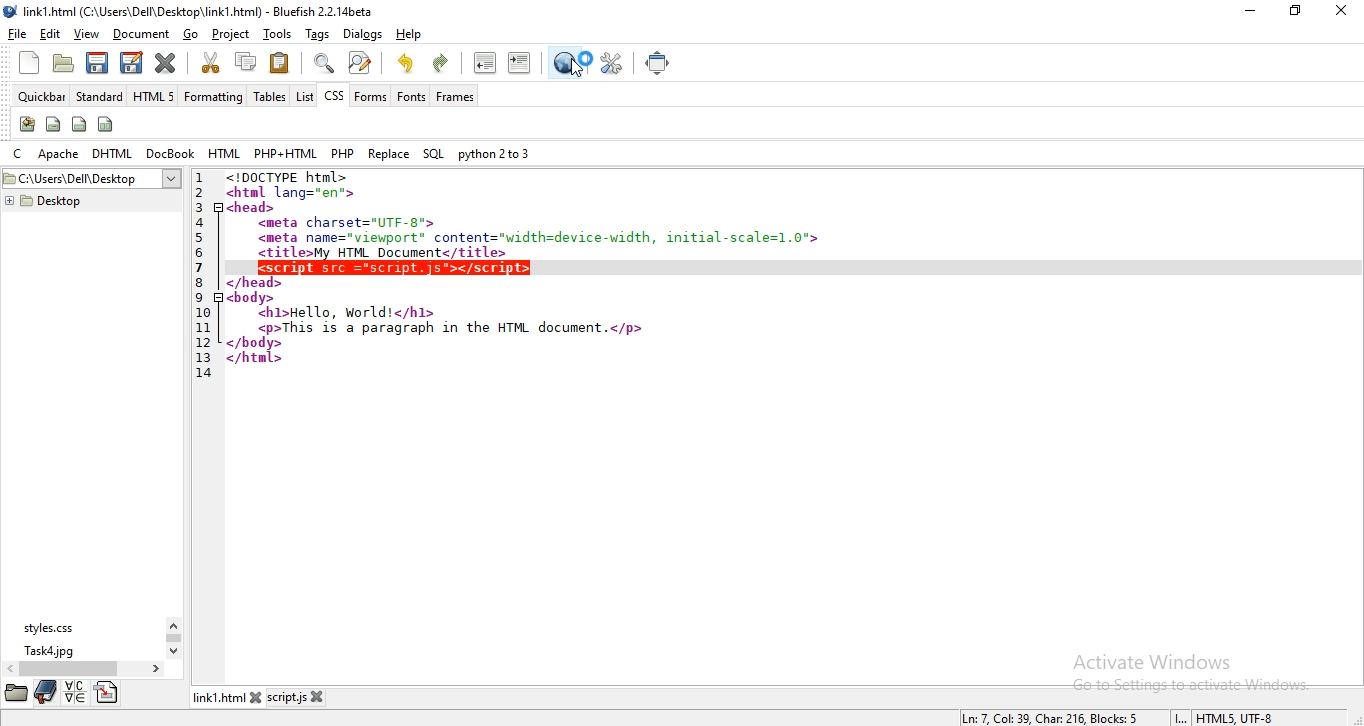 The width and height of the screenshot is (1364, 726). Describe the element at coordinates (407, 63) in the screenshot. I see `undo` at that location.